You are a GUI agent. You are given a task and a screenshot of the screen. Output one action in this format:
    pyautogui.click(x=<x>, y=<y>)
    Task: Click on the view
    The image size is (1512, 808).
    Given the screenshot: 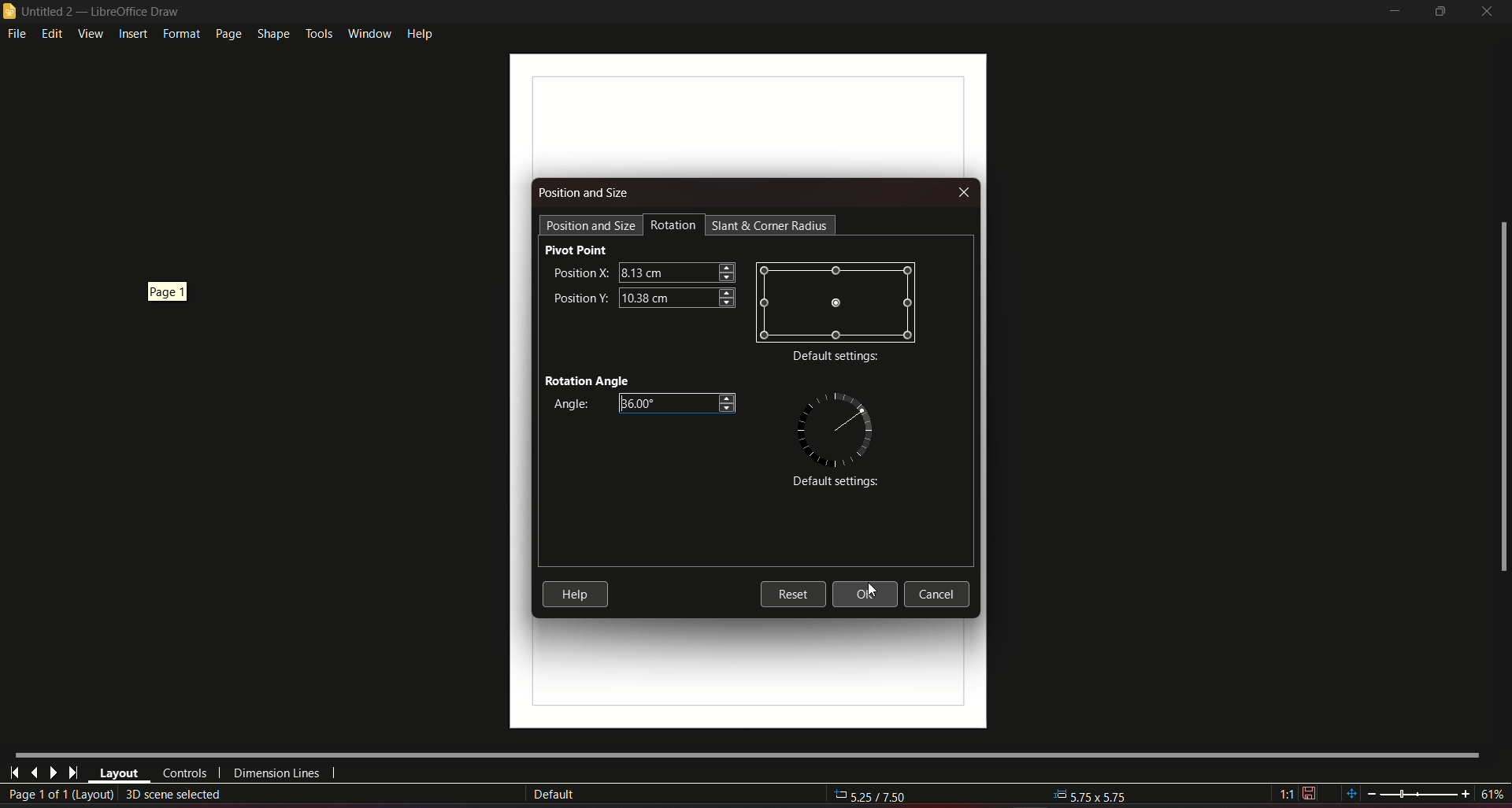 What is the action you would take?
    pyautogui.click(x=90, y=33)
    